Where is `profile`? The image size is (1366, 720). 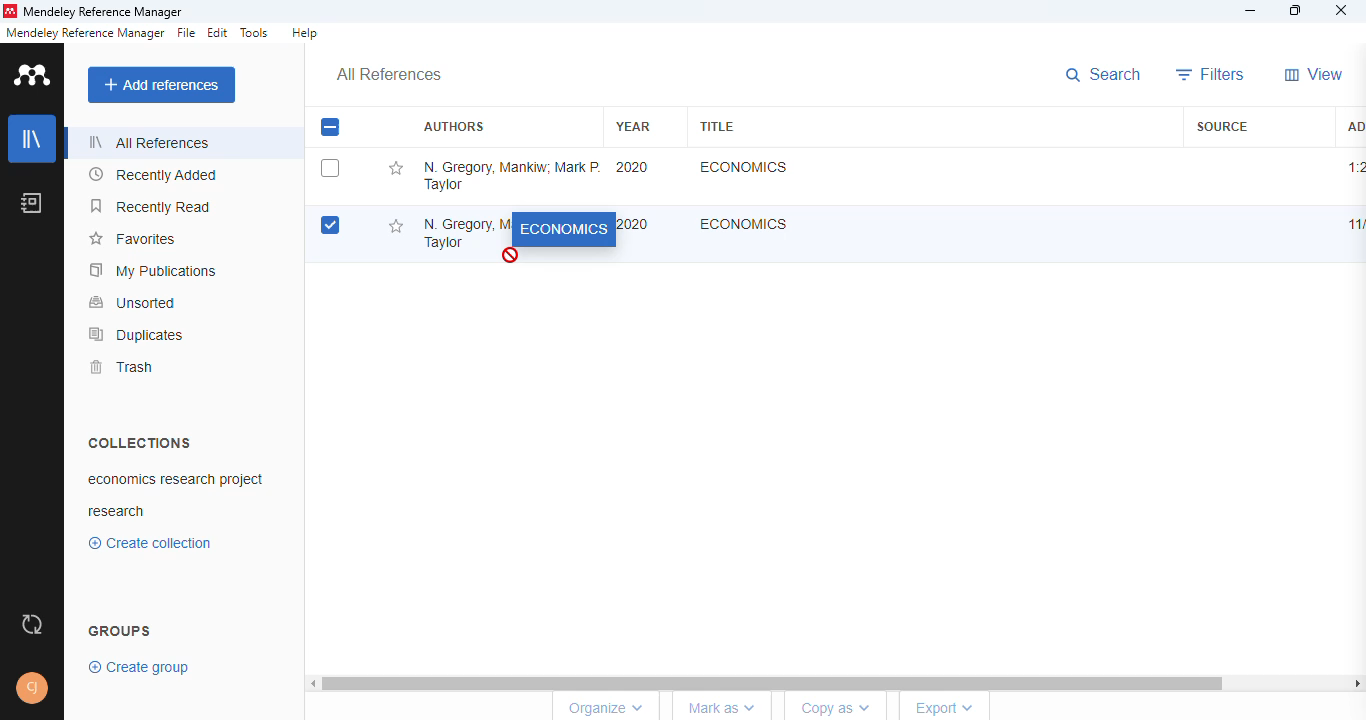
profile is located at coordinates (32, 688).